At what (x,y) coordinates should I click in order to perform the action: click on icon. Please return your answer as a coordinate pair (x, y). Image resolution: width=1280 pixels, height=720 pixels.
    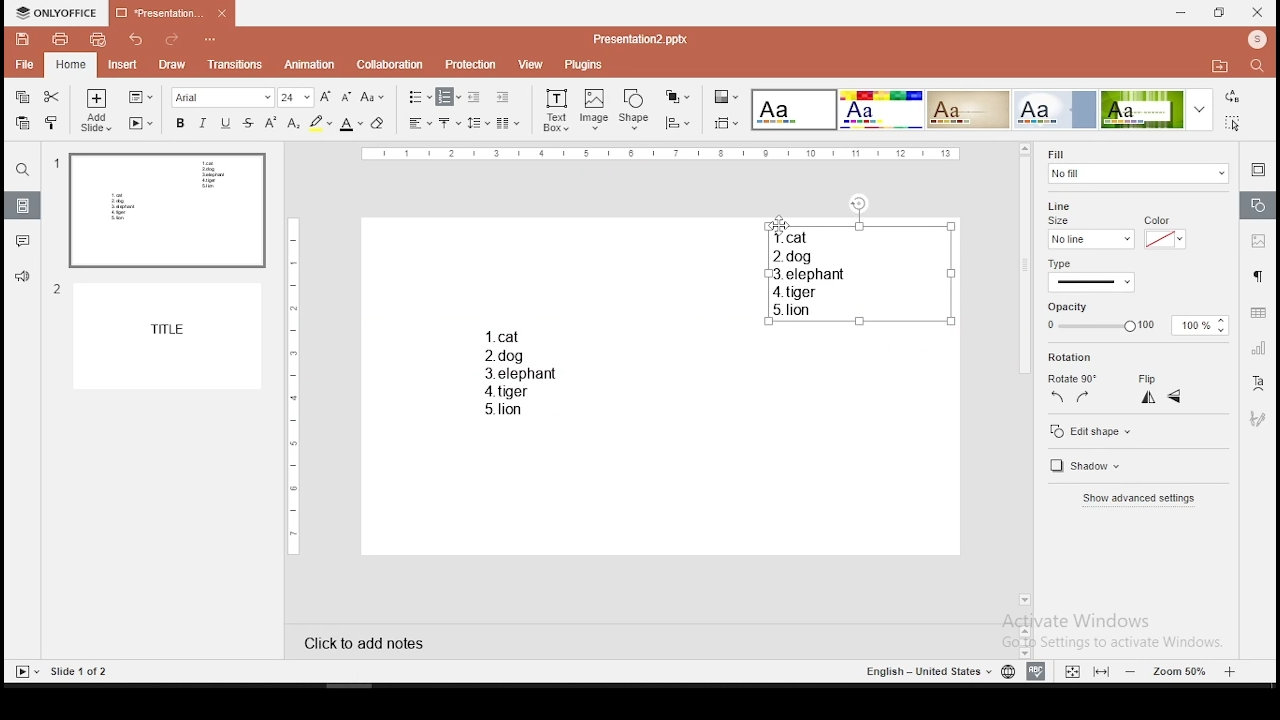
    Looking at the image, I should click on (1256, 41).